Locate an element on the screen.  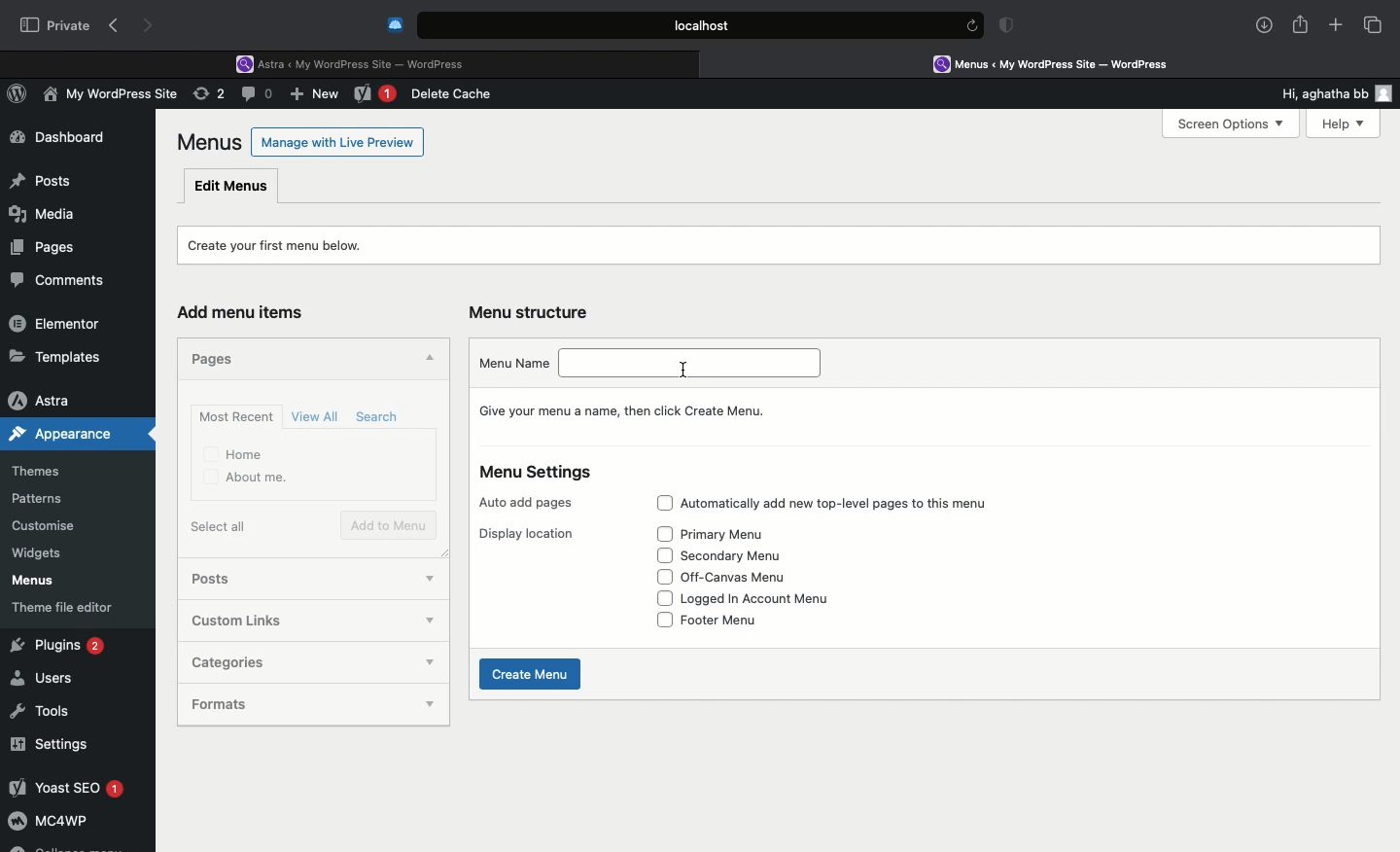
New is located at coordinates (317, 96).